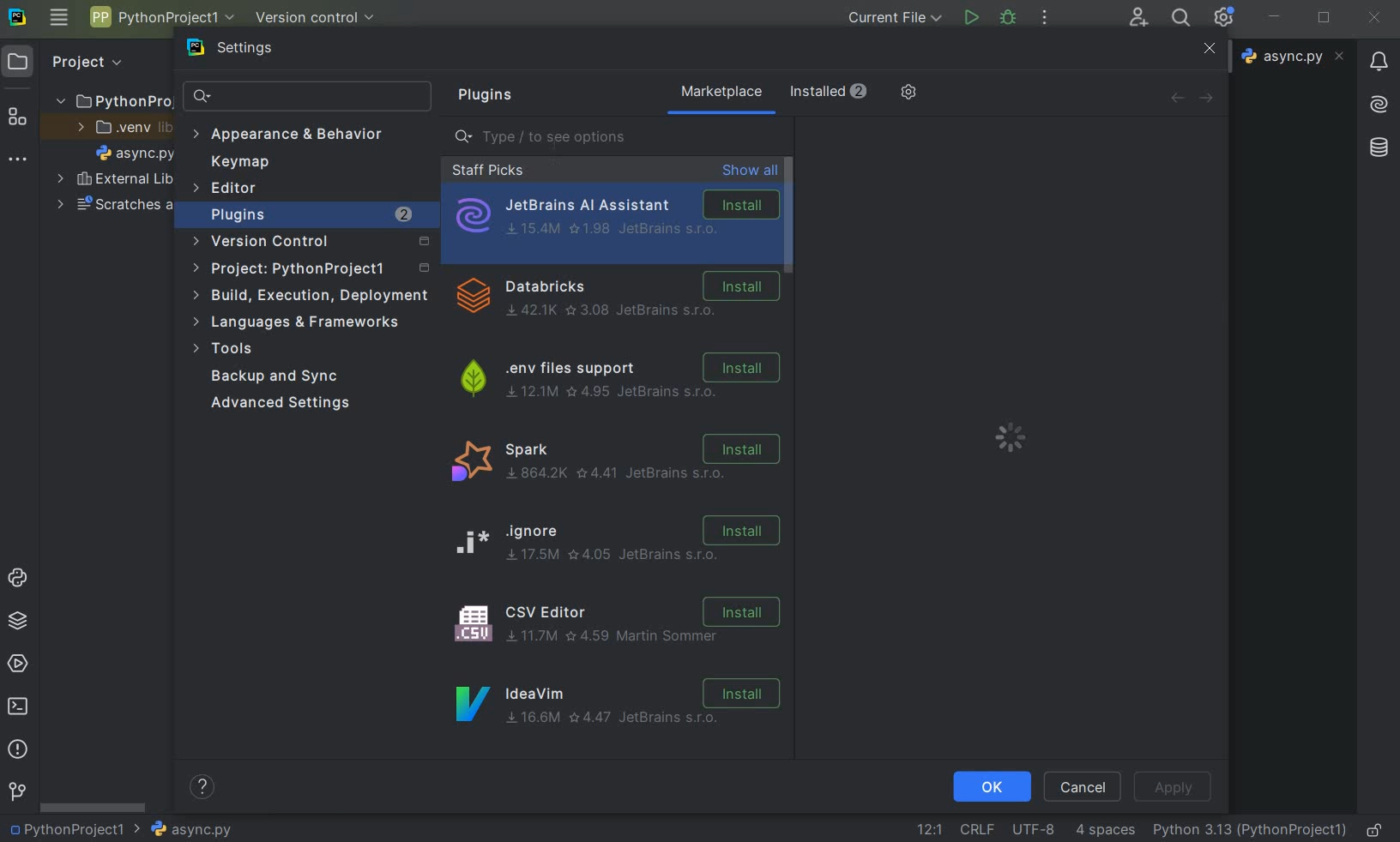  Describe the element at coordinates (309, 97) in the screenshot. I see `search settings` at that location.